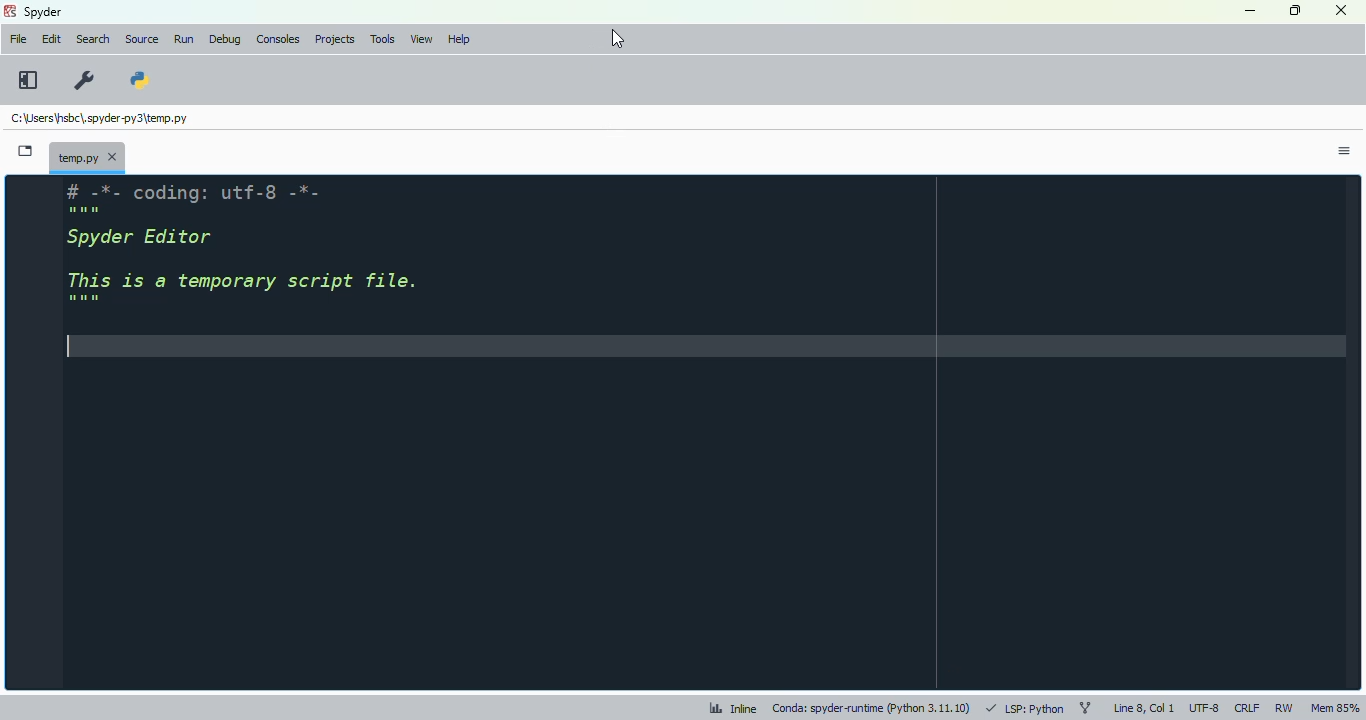  Describe the element at coordinates (871, 708) in the screenshot. I see `conda: spyder-runtime (python 3. 11. 10)` at that location.